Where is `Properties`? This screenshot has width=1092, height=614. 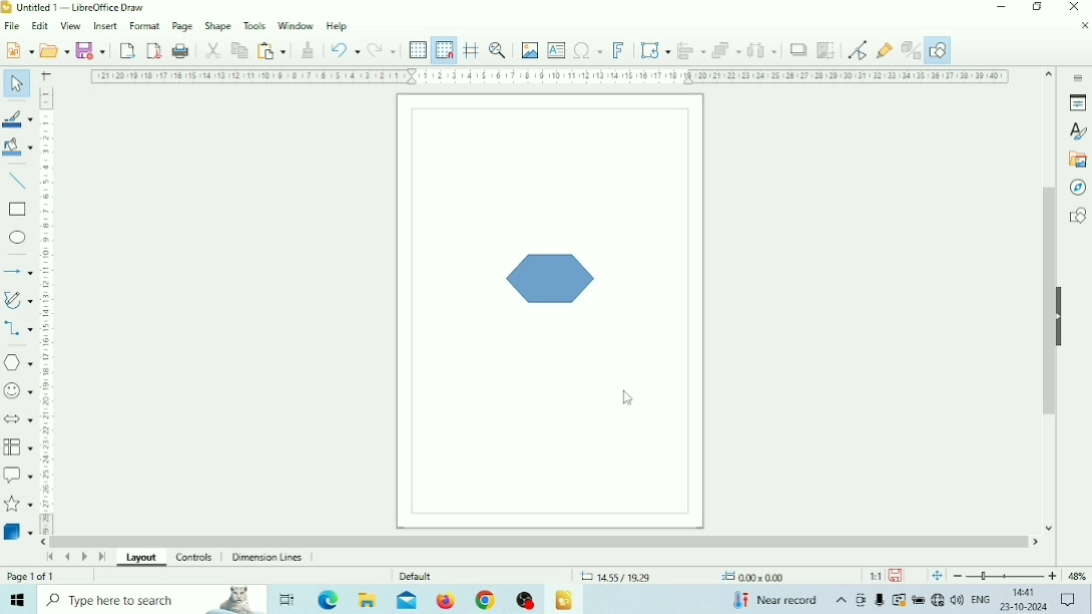 Properties is located at coordinates (1078, 103).